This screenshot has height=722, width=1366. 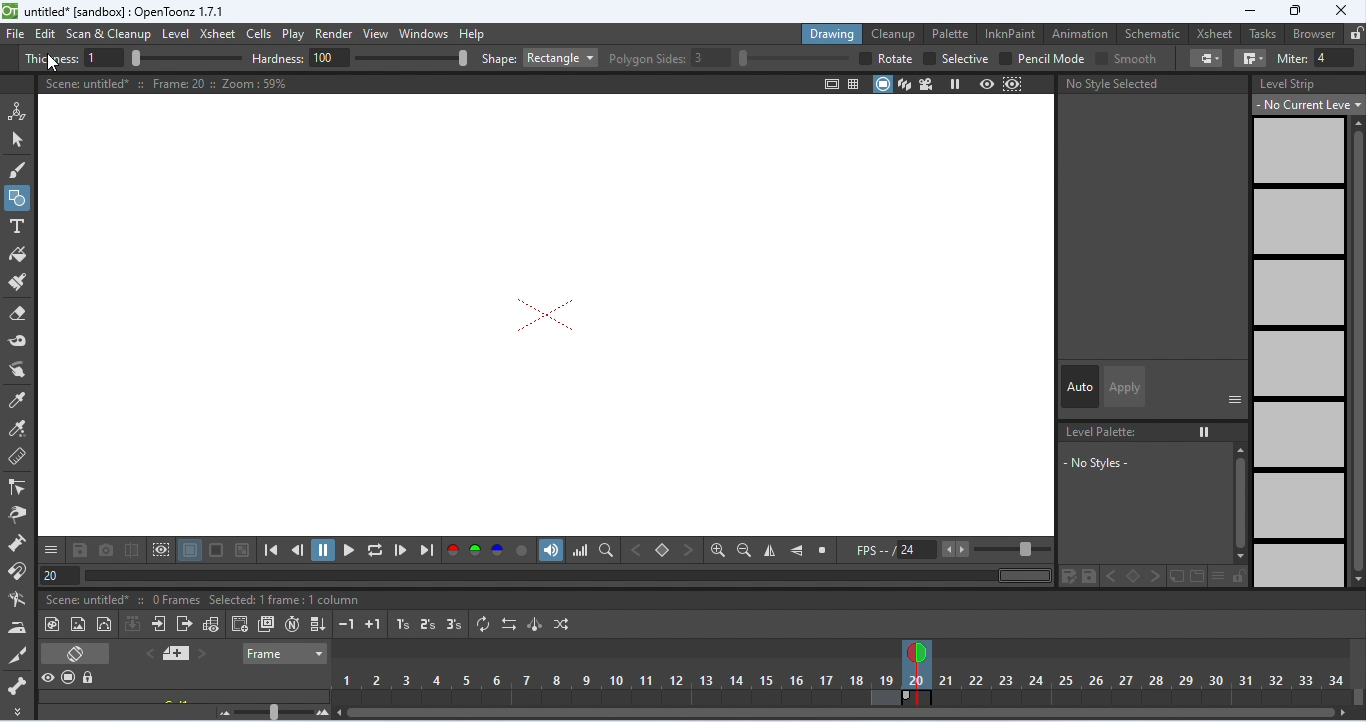 I want to click on sub camera preview, so click(x=1012, y=84).